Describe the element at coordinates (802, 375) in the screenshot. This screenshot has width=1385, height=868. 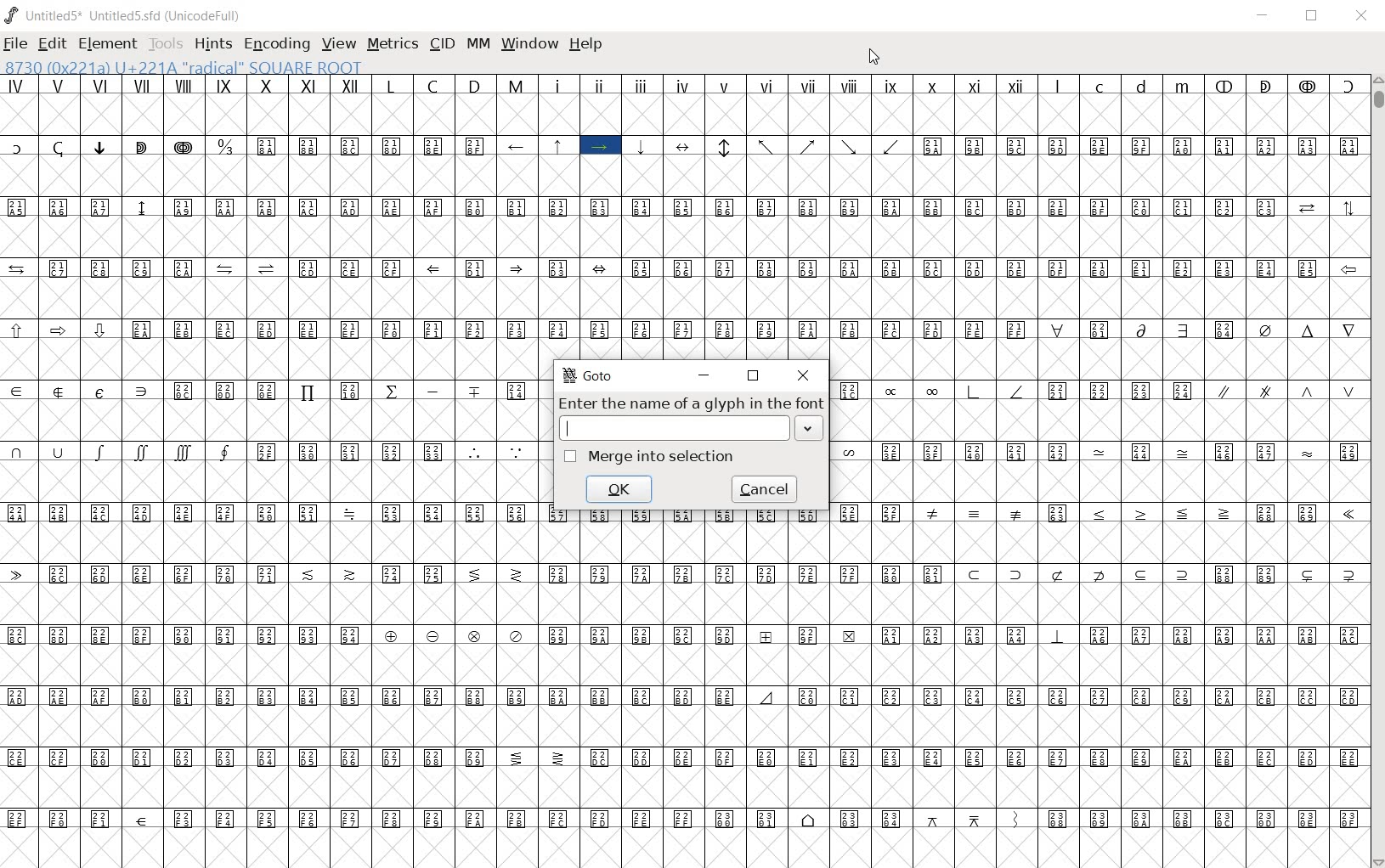
I see `CLOSE` at that location.